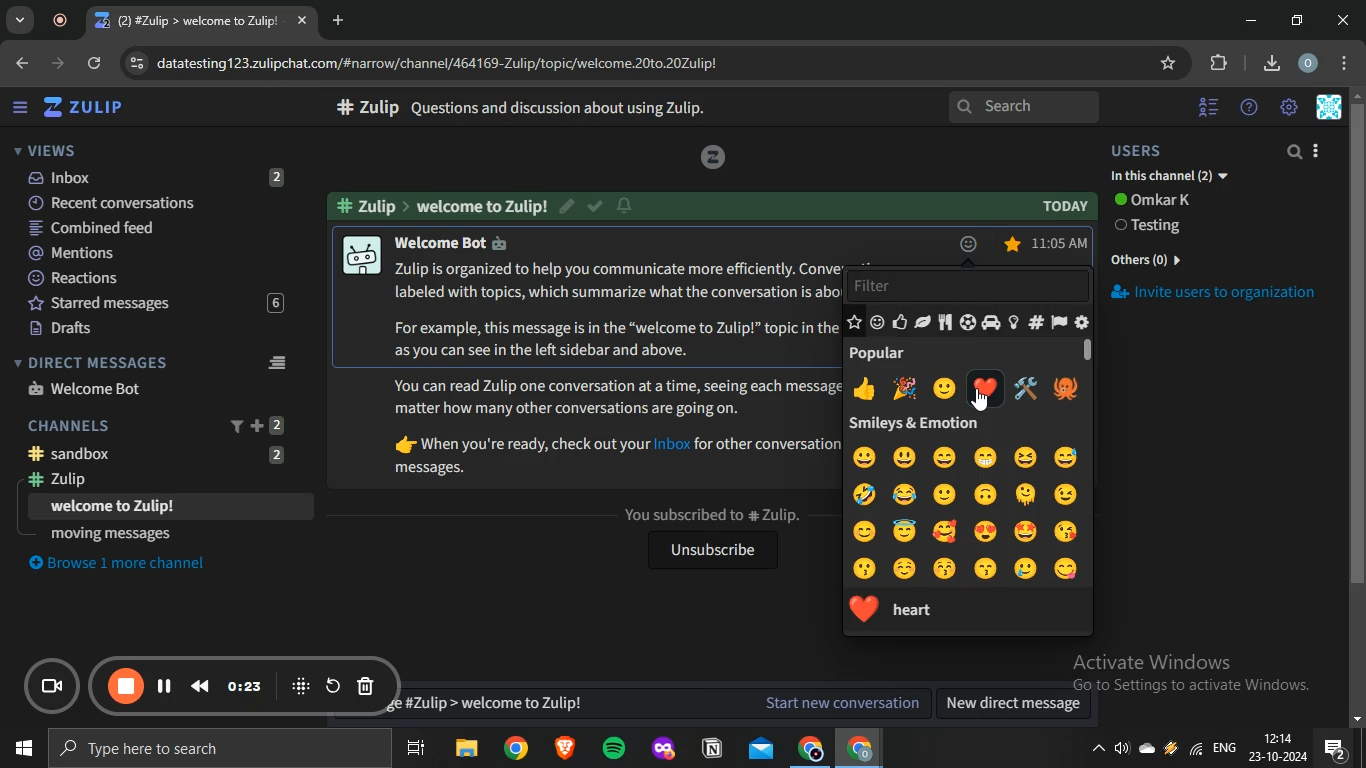  What do you see at coordinates (1170, 63) in the screenshot?
I see `bookmark this page` at bounding box center [1170, 63].